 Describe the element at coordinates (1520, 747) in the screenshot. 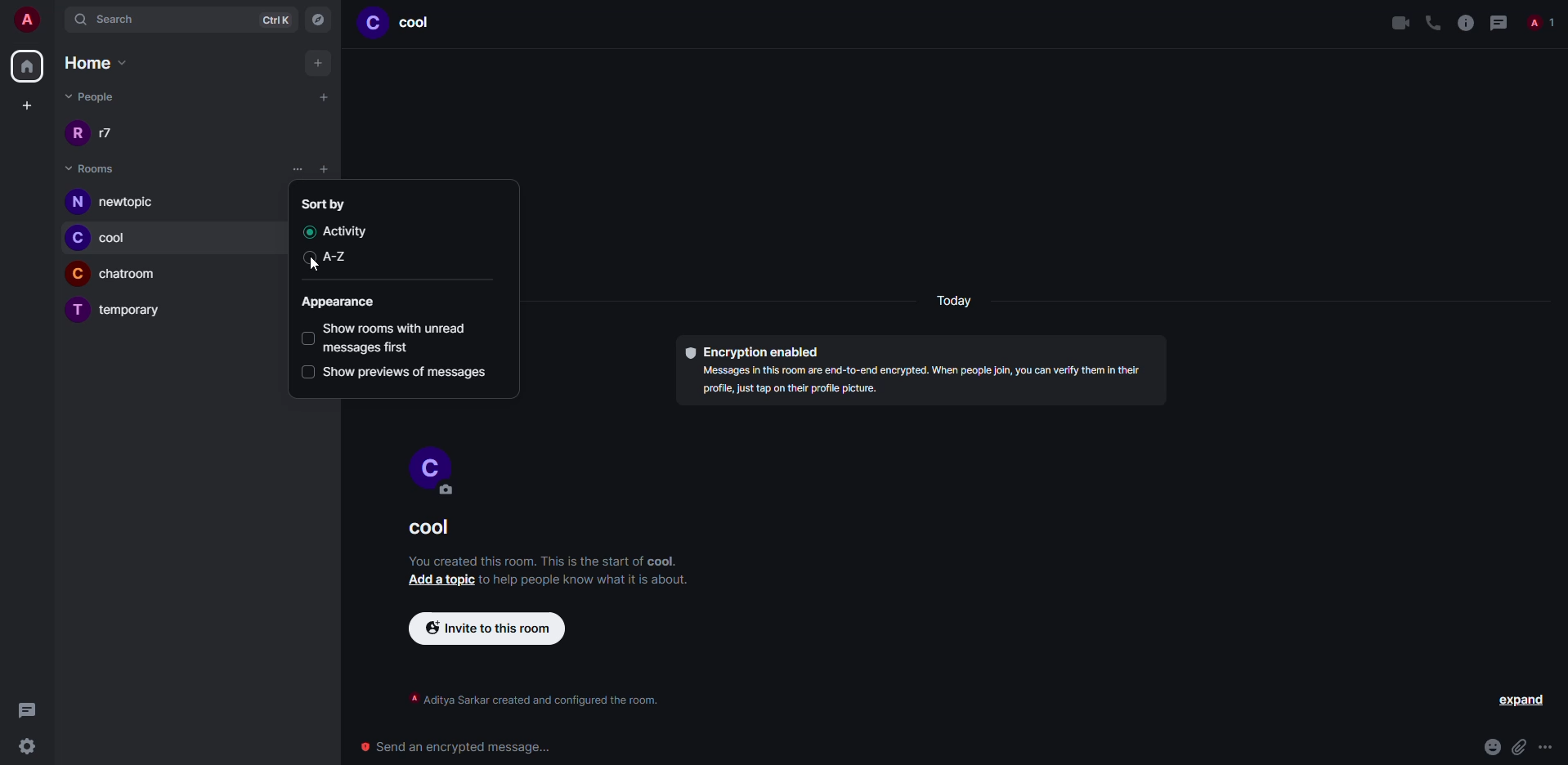

I see `attach` at that location.